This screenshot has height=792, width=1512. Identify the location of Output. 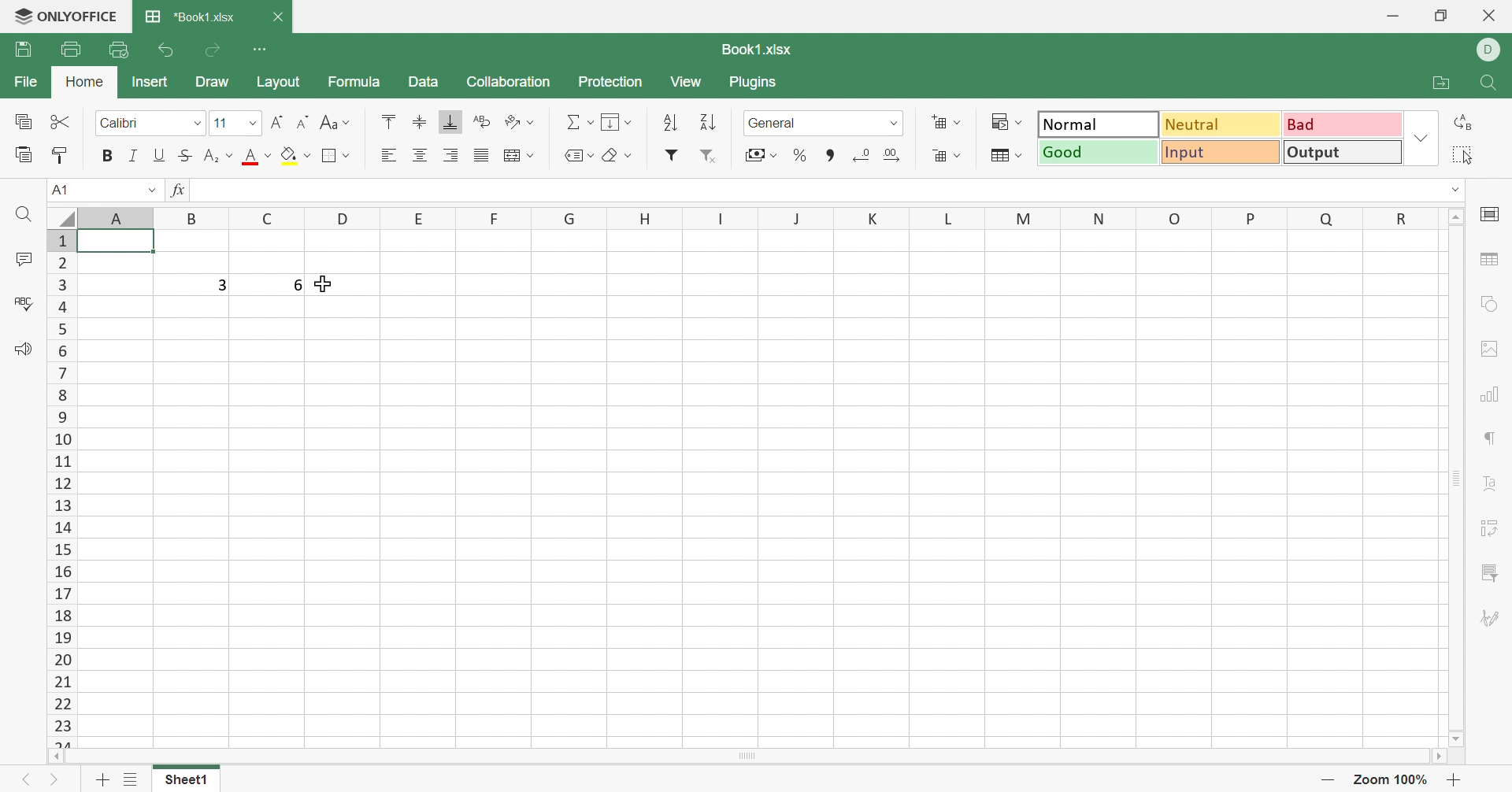
(1343, 154).